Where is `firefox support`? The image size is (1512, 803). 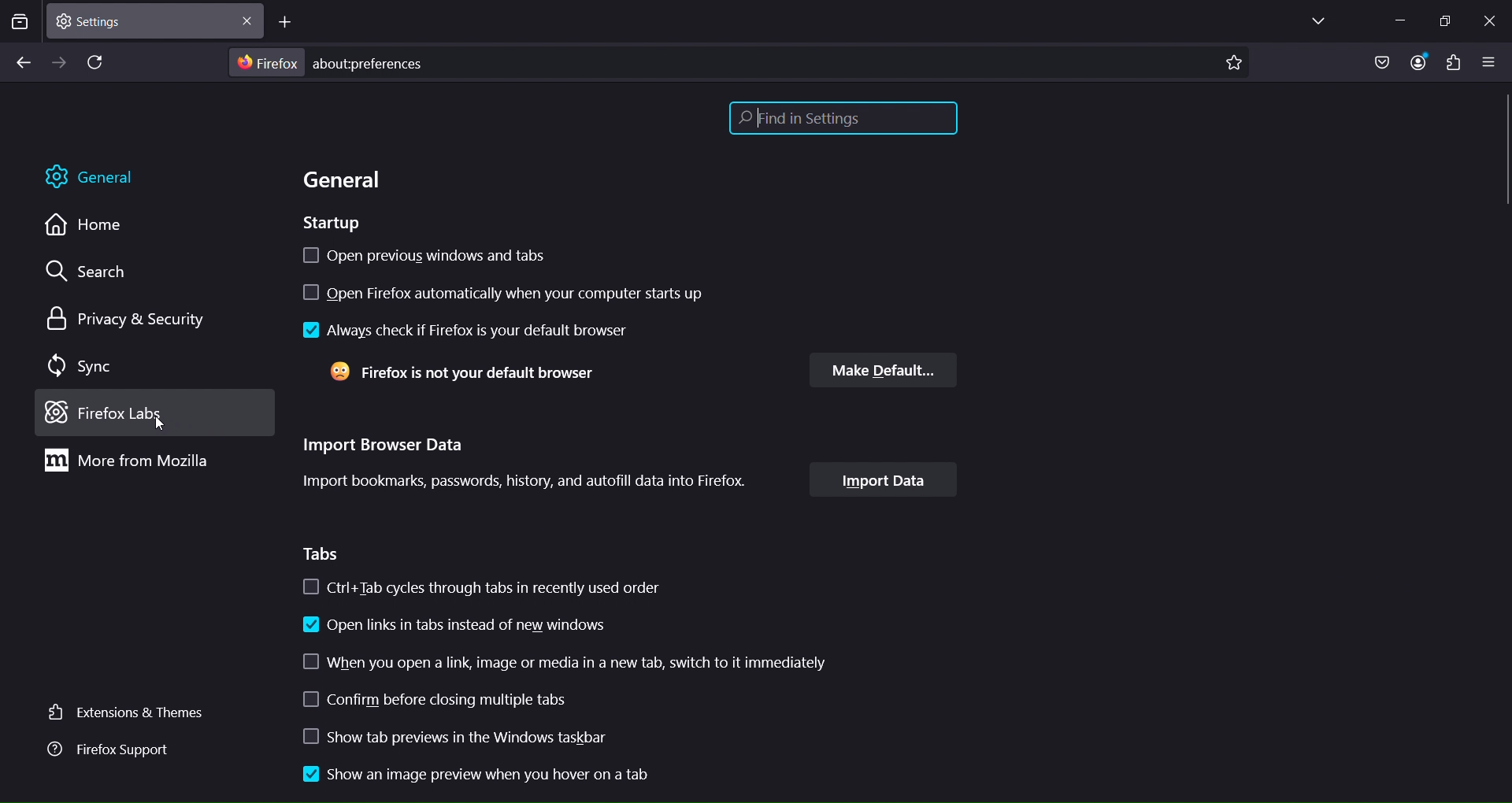 firefox support is located at coordinates (106, 752).